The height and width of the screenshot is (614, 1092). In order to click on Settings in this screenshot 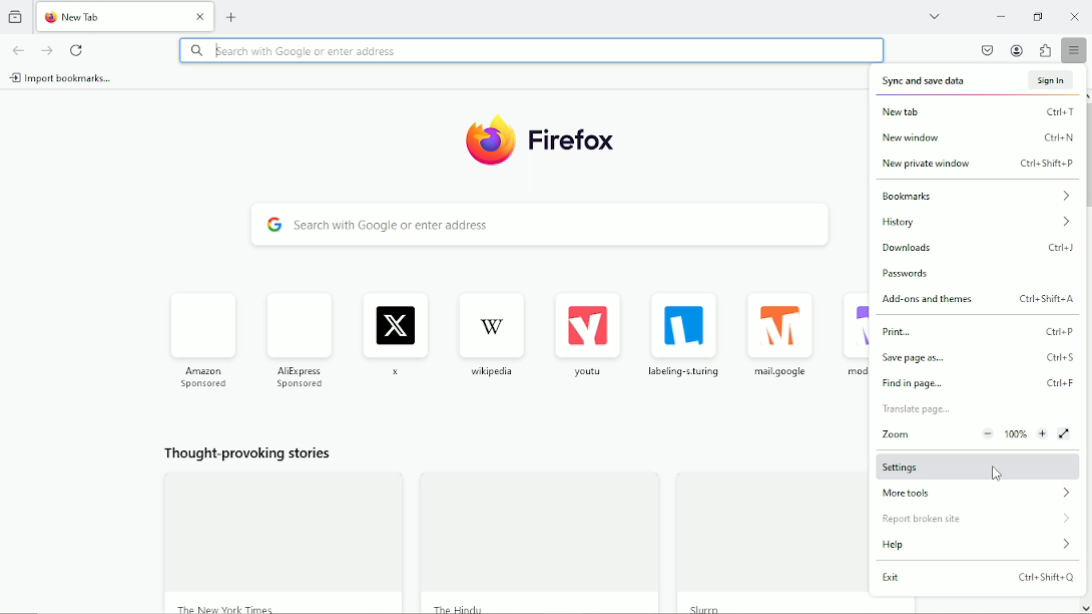, I will do `click(980, 468)`.